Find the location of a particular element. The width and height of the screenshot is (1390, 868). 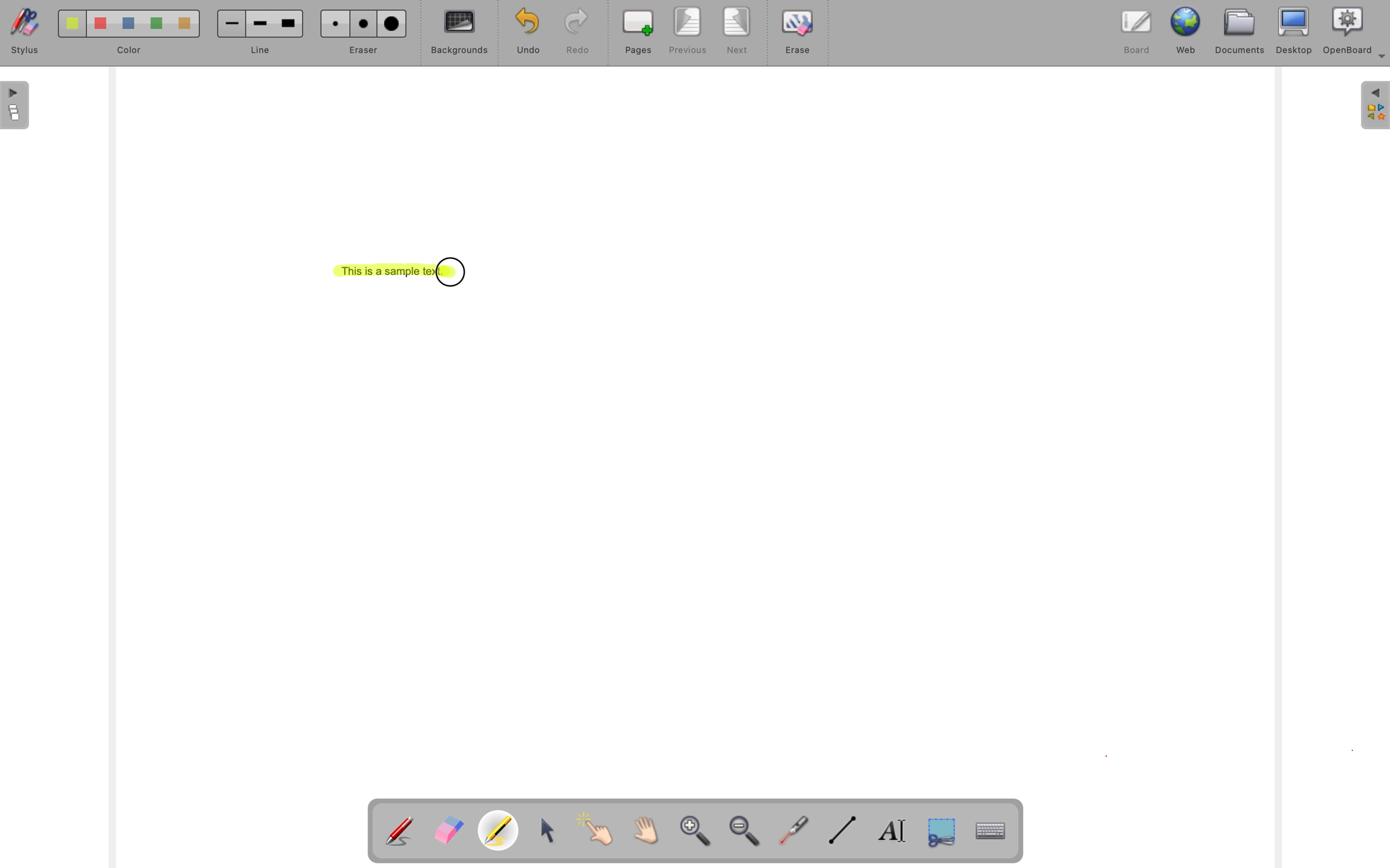

undo is located at coordinates (524, 32).